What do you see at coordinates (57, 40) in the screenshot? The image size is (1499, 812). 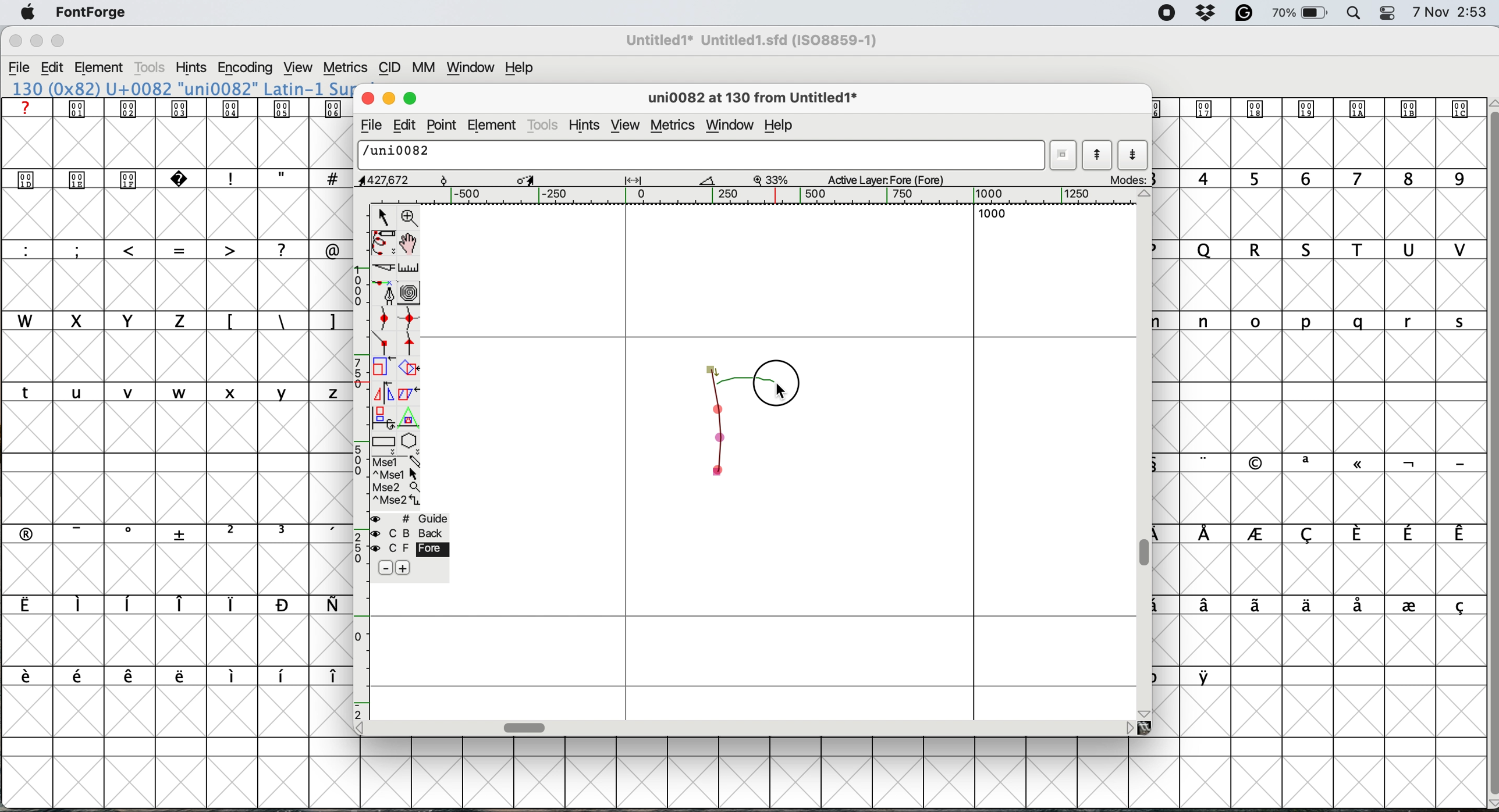 I see `maximise` at bounding box center [57, 40].